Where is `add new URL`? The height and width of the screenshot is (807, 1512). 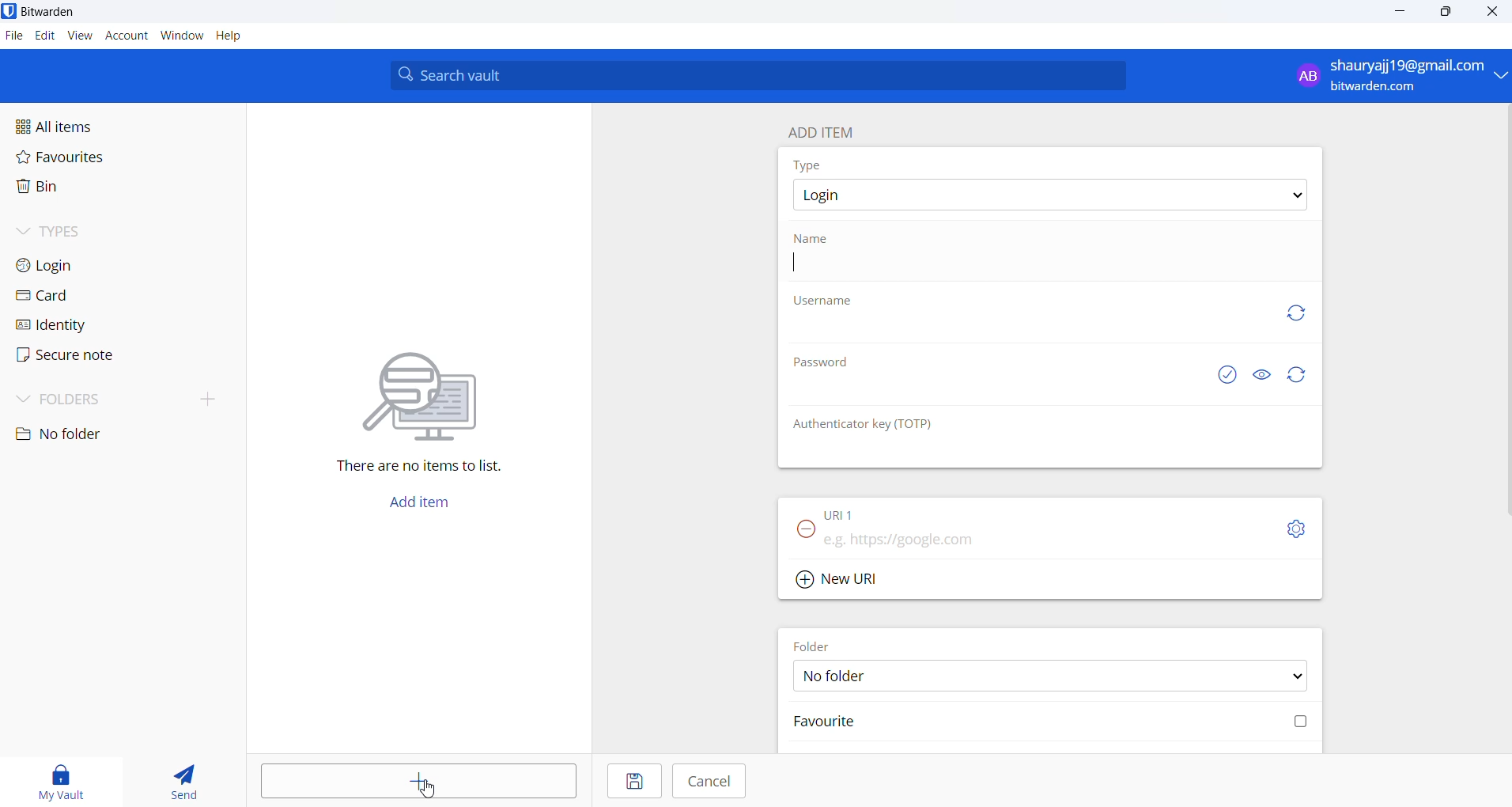
add new URL is located at coordinates (845, 578).